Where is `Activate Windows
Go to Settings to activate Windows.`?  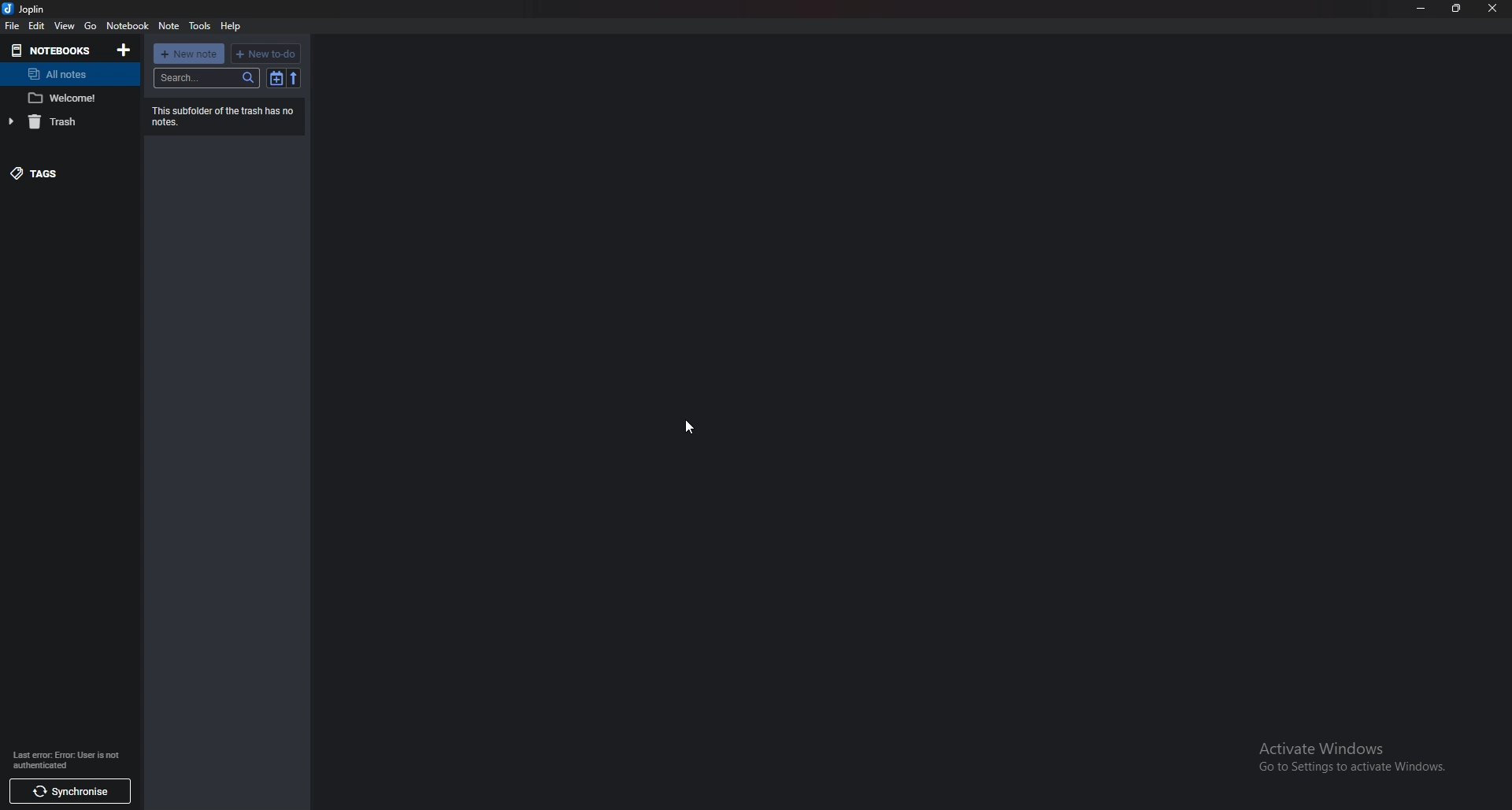
Activate Windows
Go to Settings to activate Windows. is located at coordinates (1346, 755).